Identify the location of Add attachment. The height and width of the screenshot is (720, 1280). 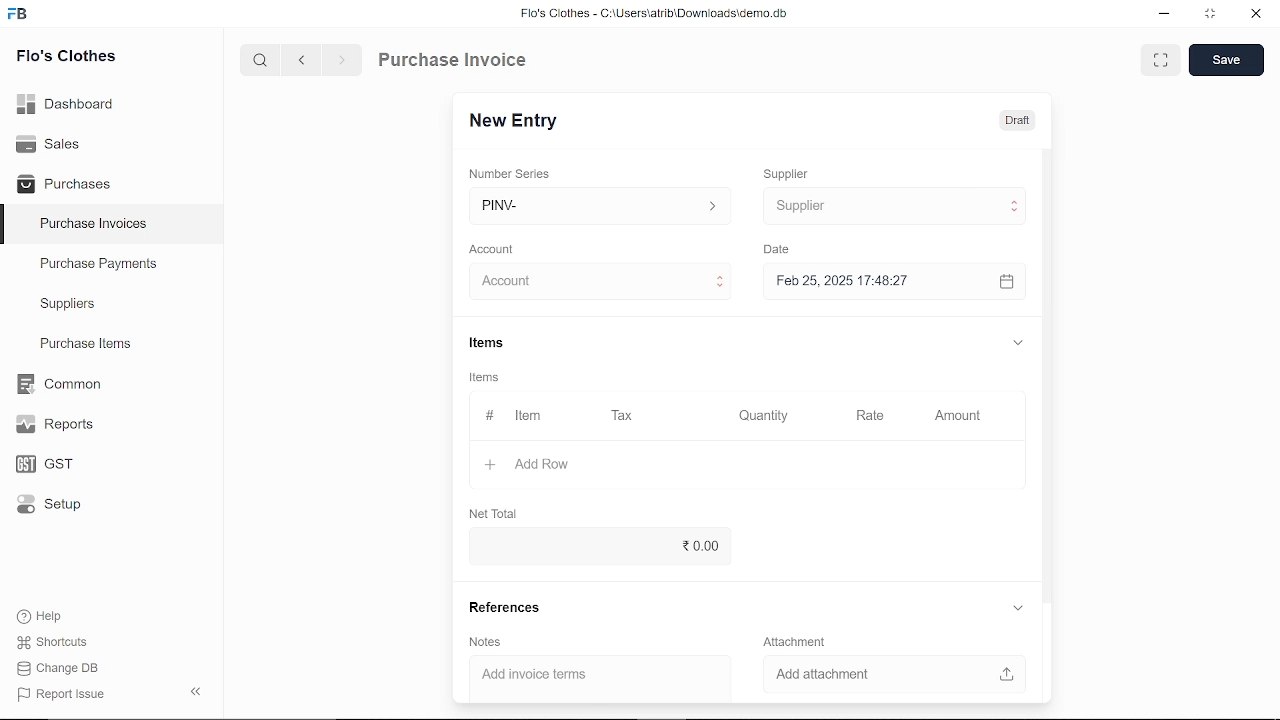
(887, 672).